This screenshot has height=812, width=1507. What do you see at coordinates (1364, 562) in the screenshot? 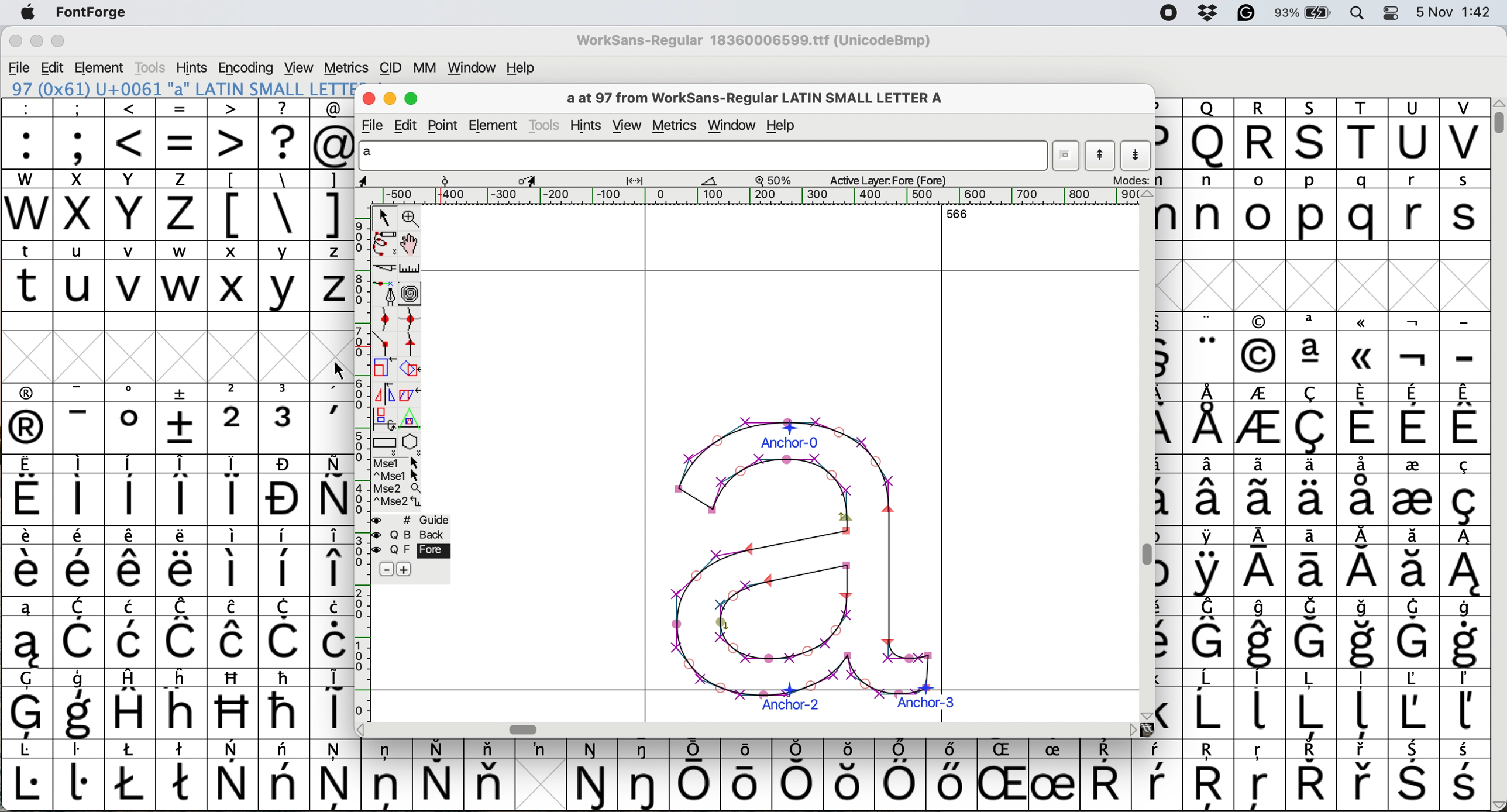
I see `symbol` at bounding box center [1364, 562].